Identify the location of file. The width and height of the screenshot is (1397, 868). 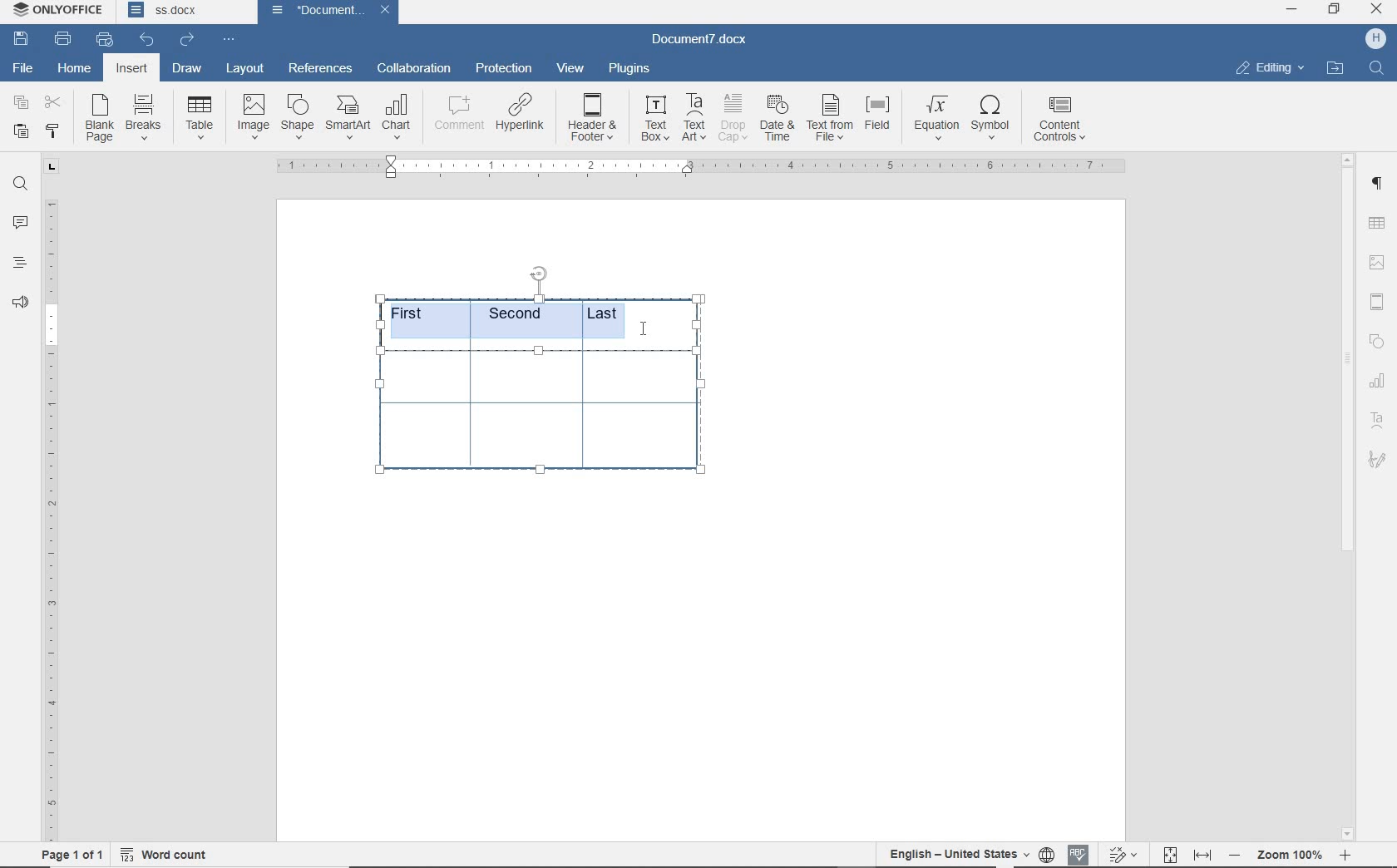
(22, 67).